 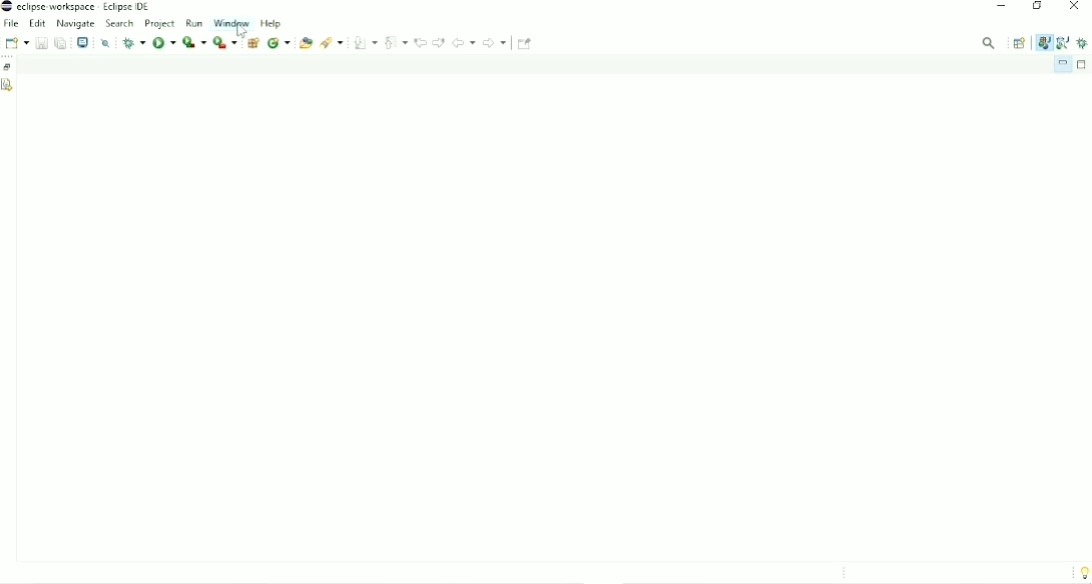 What do you see at coordinates (420, 42) in the screenshot?
I see `Previous edit location` at bounding box center [420, 42].